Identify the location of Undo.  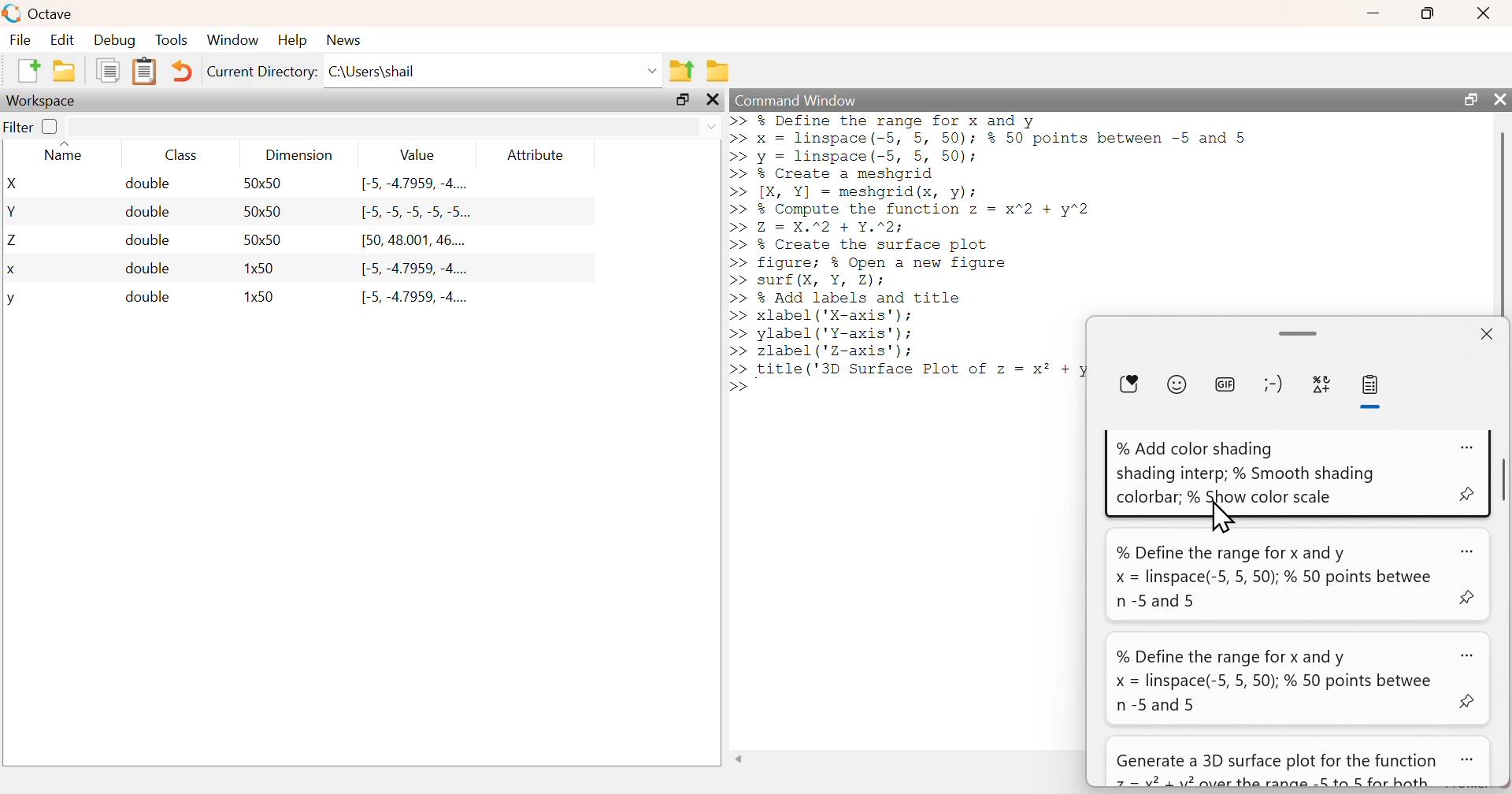
(180, 71).